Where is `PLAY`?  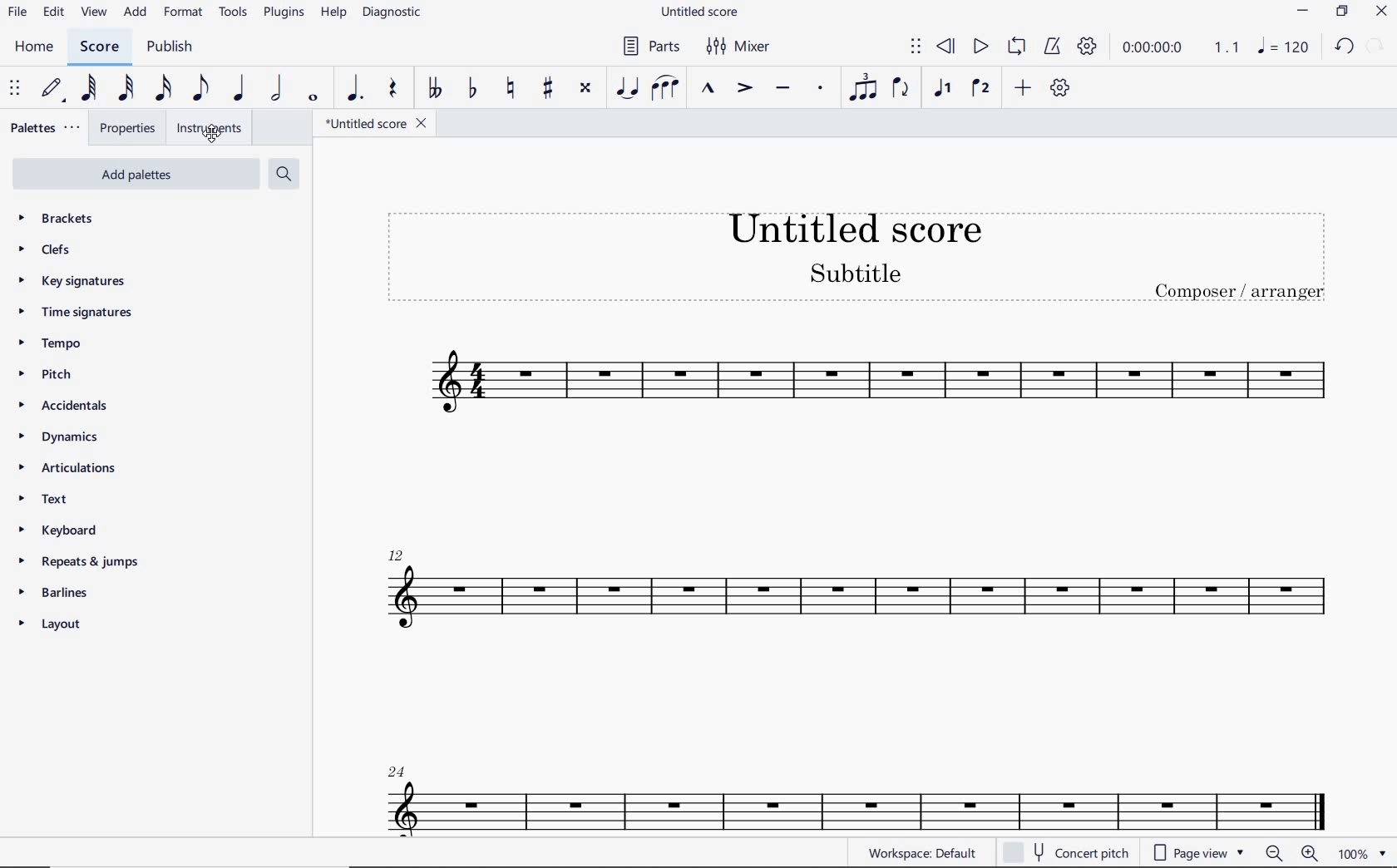
PLAY is located at coordinates (980, 47).